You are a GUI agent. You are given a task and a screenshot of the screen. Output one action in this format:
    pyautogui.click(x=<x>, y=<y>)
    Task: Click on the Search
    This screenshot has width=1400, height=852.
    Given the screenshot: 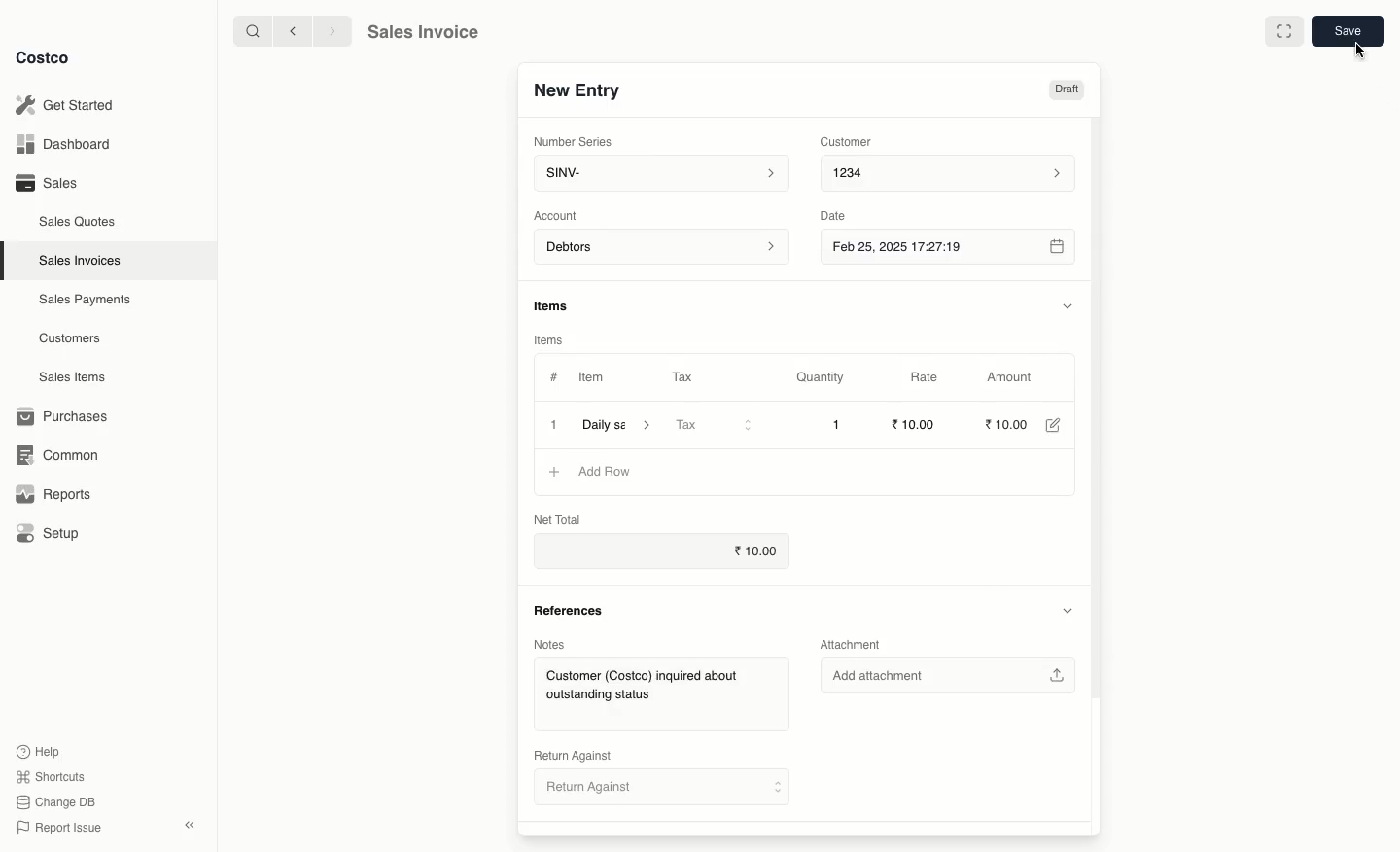 What is the action you would take?
    pyautogui.click(x=248, y=32)
    